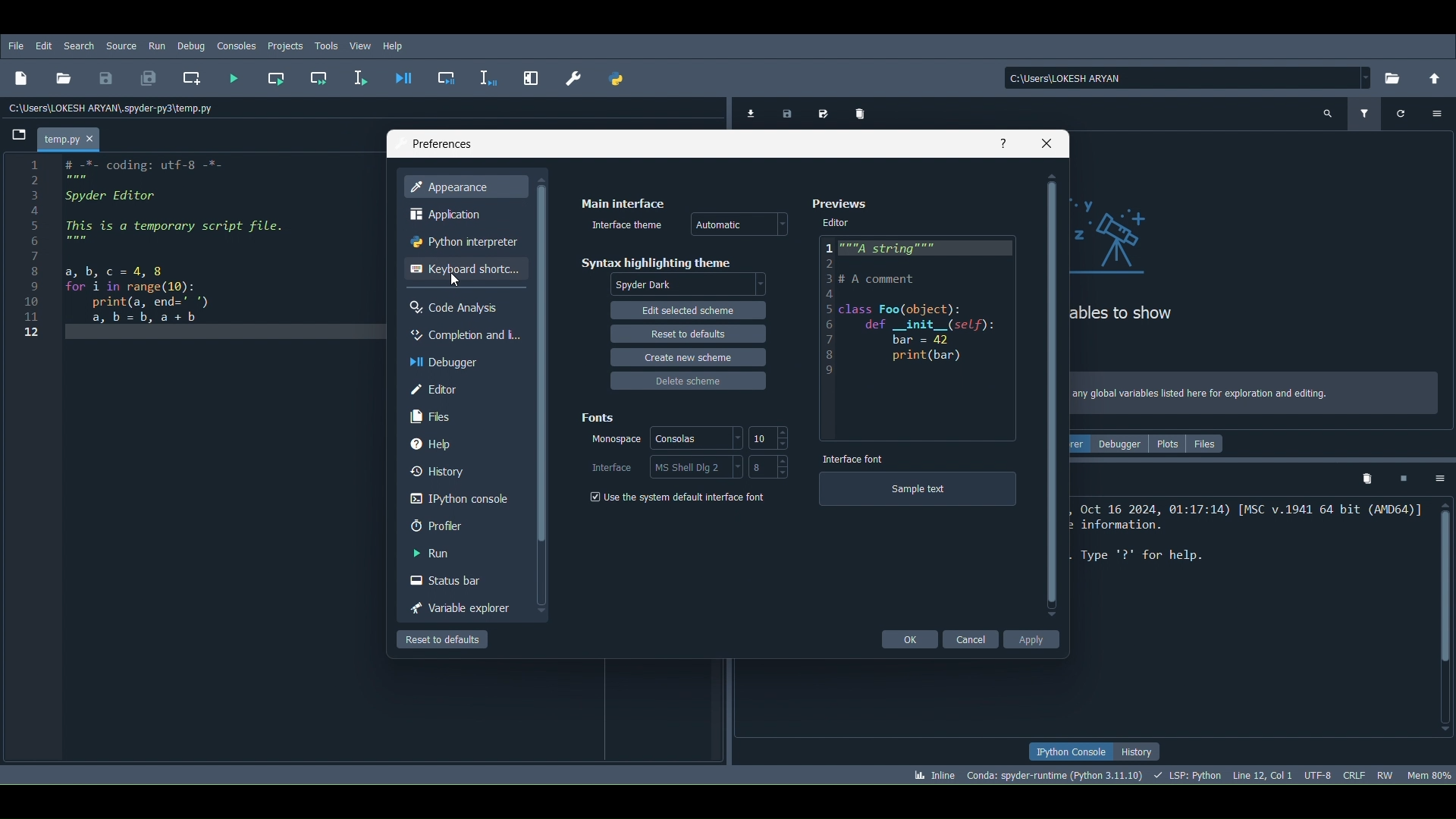 This screenshot has width=1456, height=819. What do you see at coordinates (820, 111) in the screenshot?
I see `Save data as` at bounding box center [820, 111].